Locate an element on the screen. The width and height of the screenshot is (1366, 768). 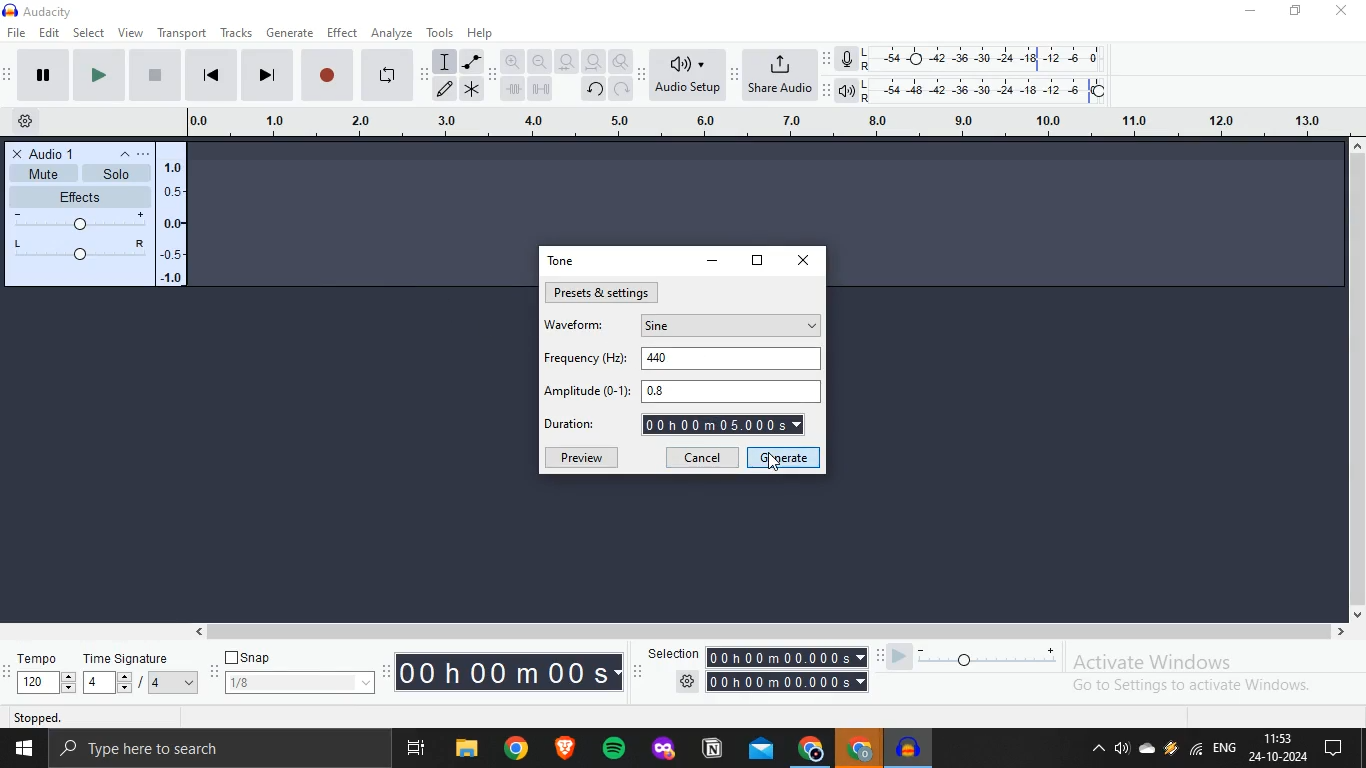
Effect is located at coordinates (345, 31).